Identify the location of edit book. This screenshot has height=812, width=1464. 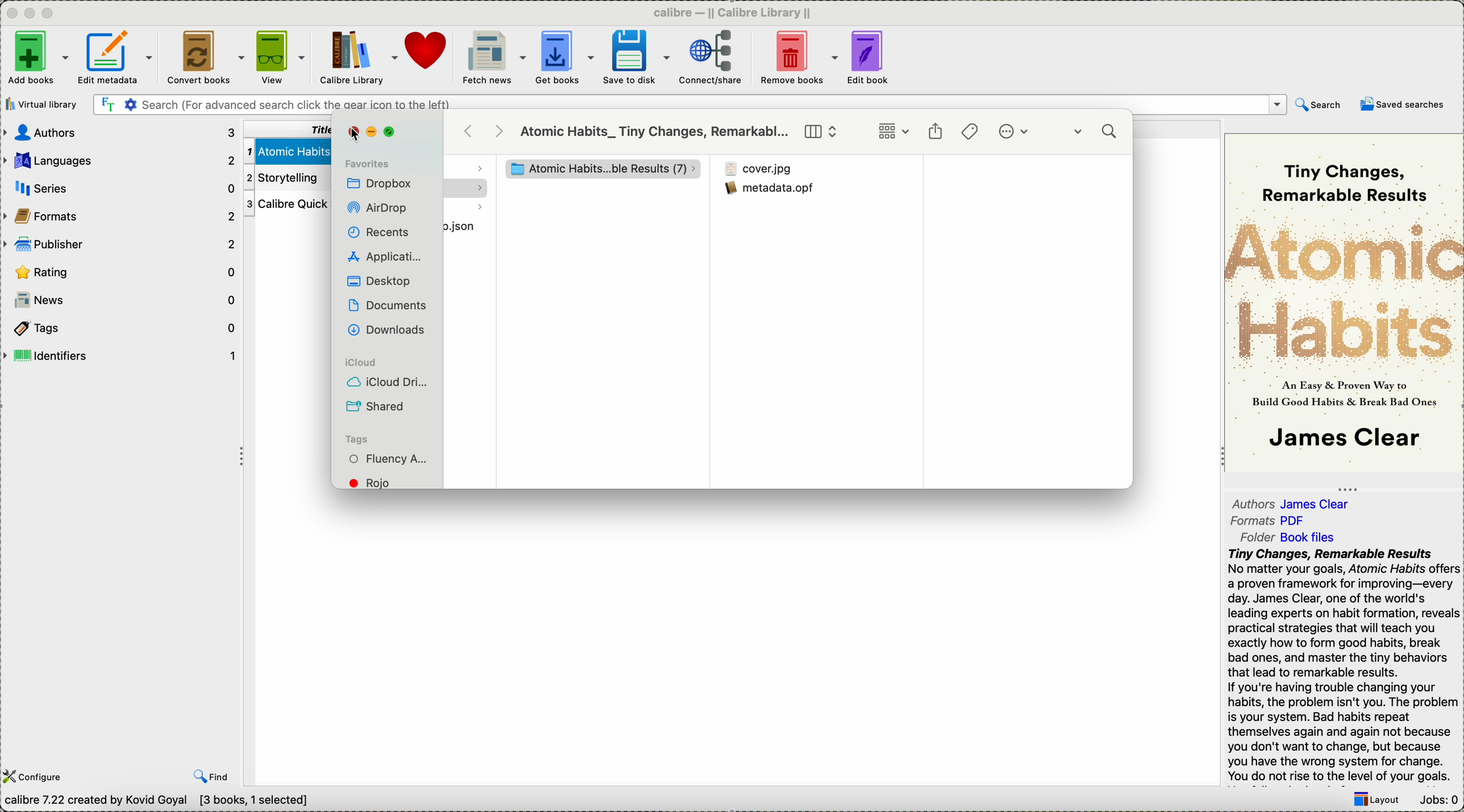
(870, 59).